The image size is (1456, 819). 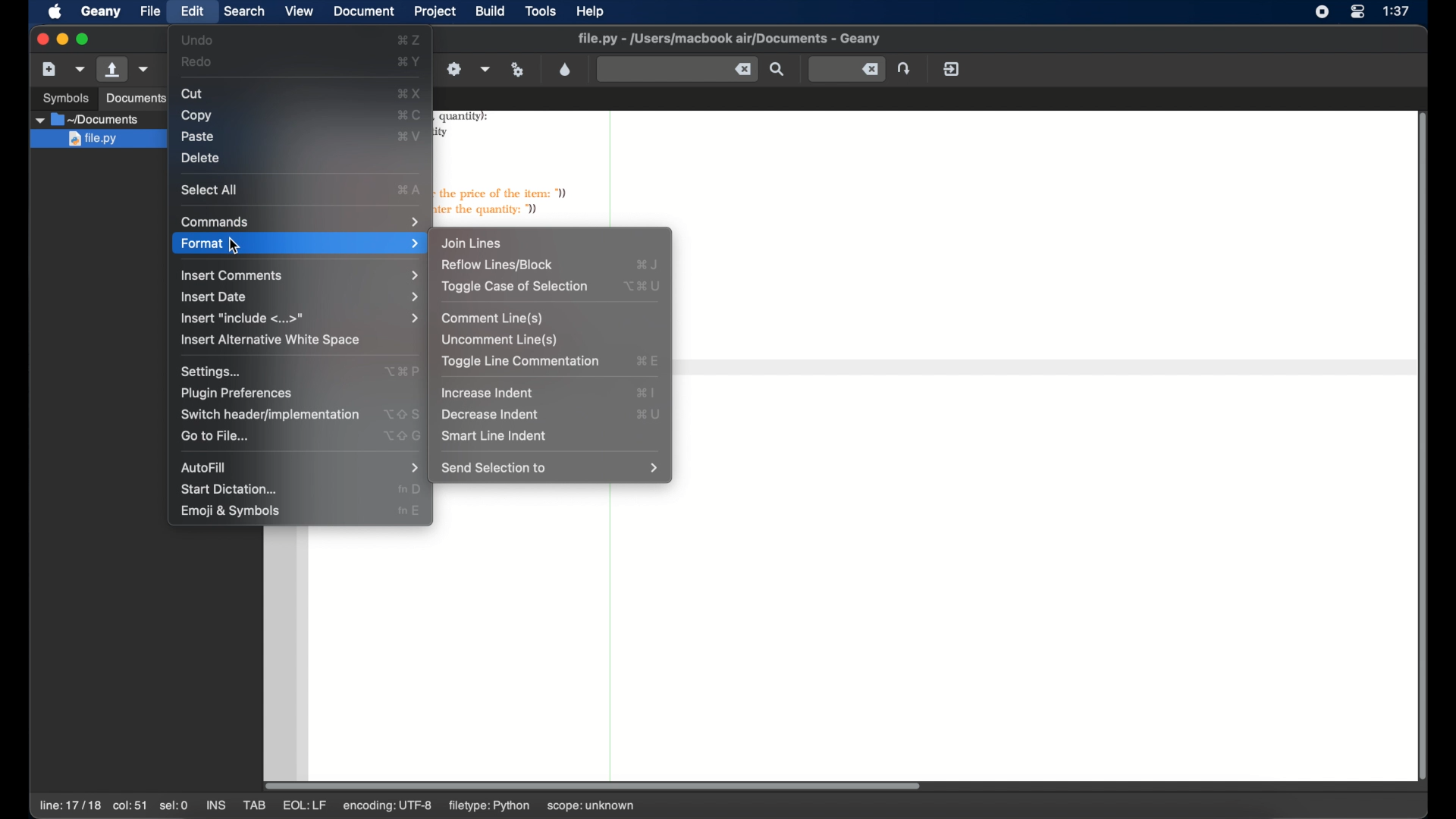 What do you see at coordinates (435, 11) in the screenshot?
I see `project` at bounding box center [435, 11].